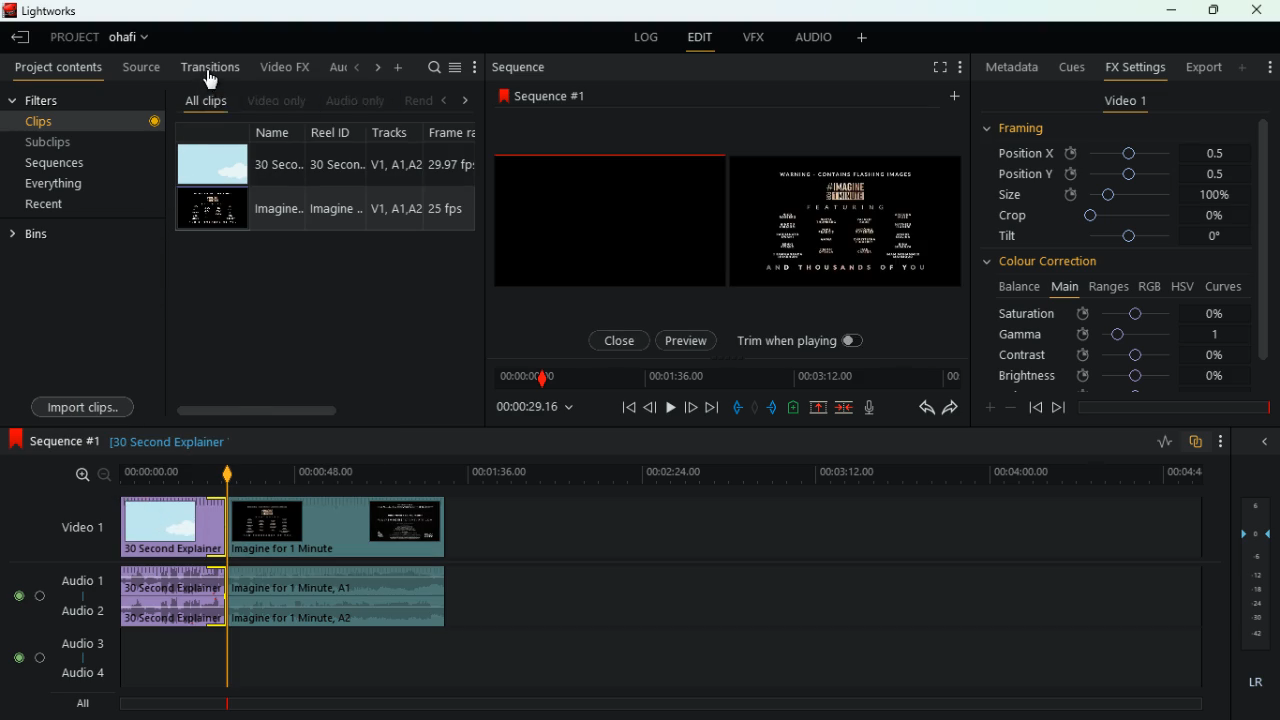 The width and height of the screenshot is (1280, 720). Describe the element at coordinates (206, 100) in the screenshot. I see `all clips` at that location.